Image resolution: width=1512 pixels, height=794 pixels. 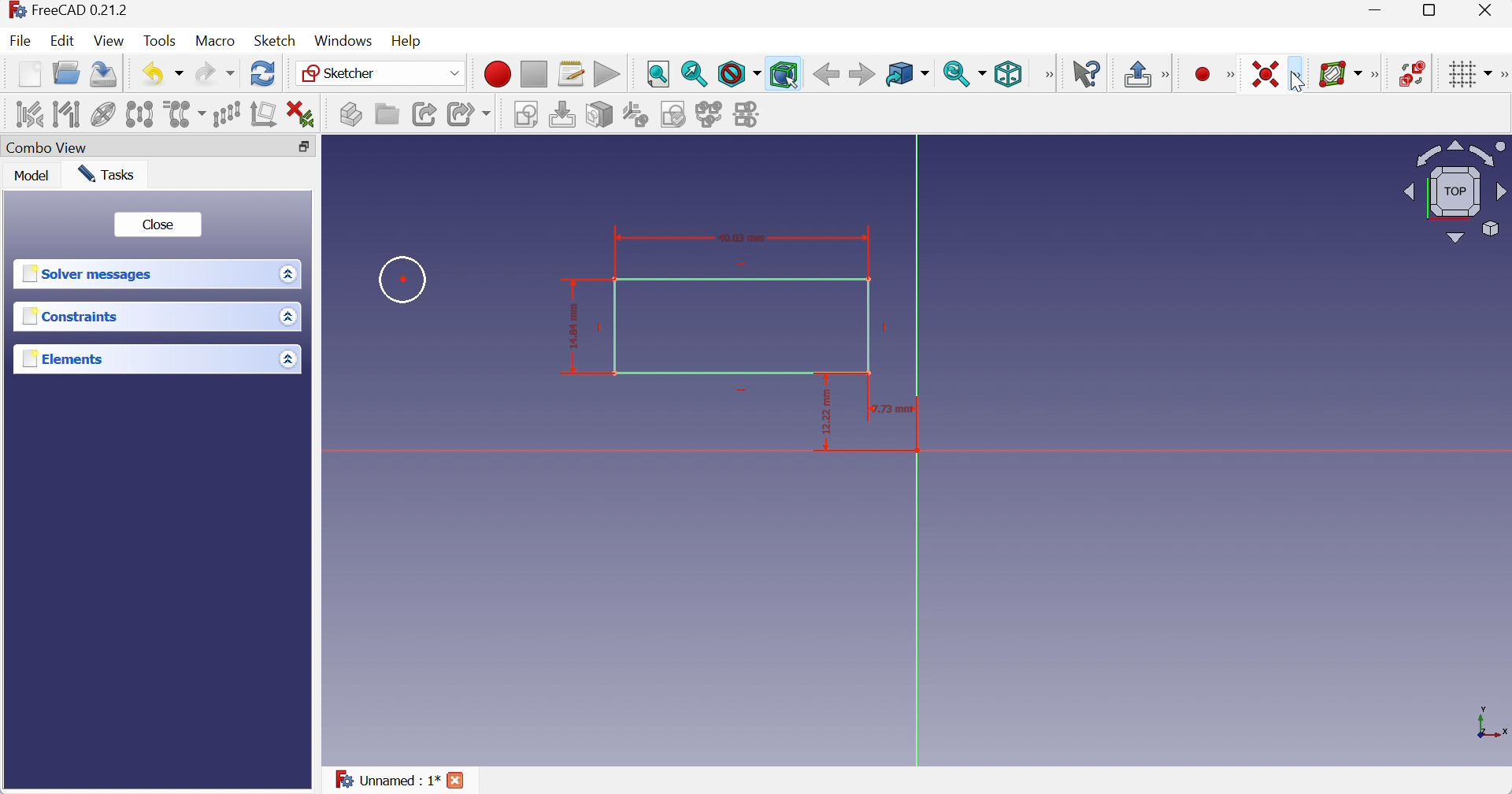 I want to click on Isometric, so click(x=1009, y=75).